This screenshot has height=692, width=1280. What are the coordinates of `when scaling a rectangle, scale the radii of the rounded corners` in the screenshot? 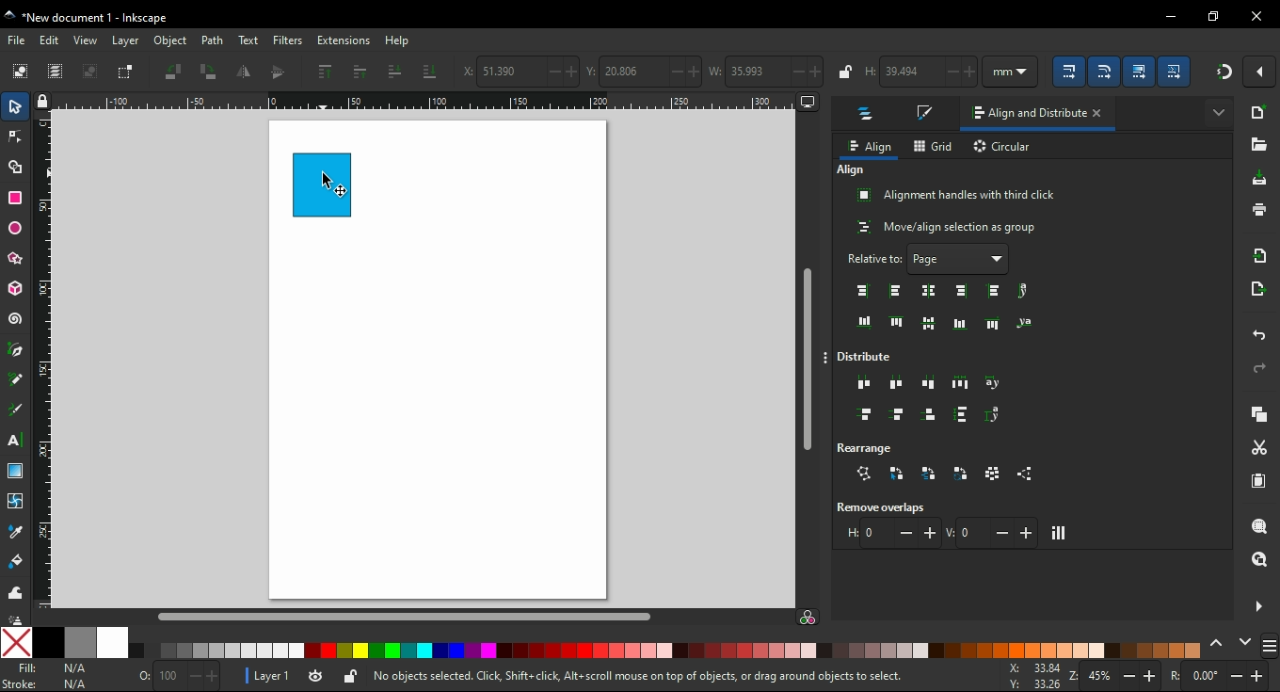 It's located at (1108, 70).